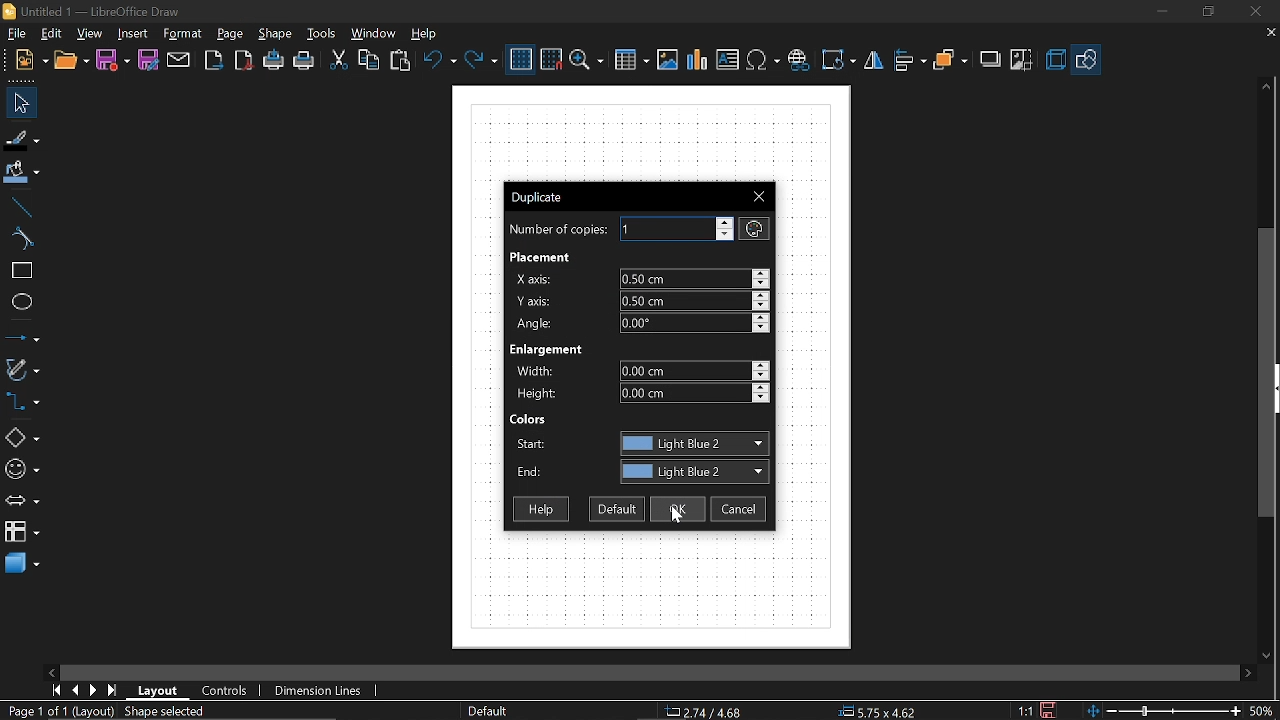  Describe the element at coordinates (876, 61) in the screenshot. I see `Flip` at that location.